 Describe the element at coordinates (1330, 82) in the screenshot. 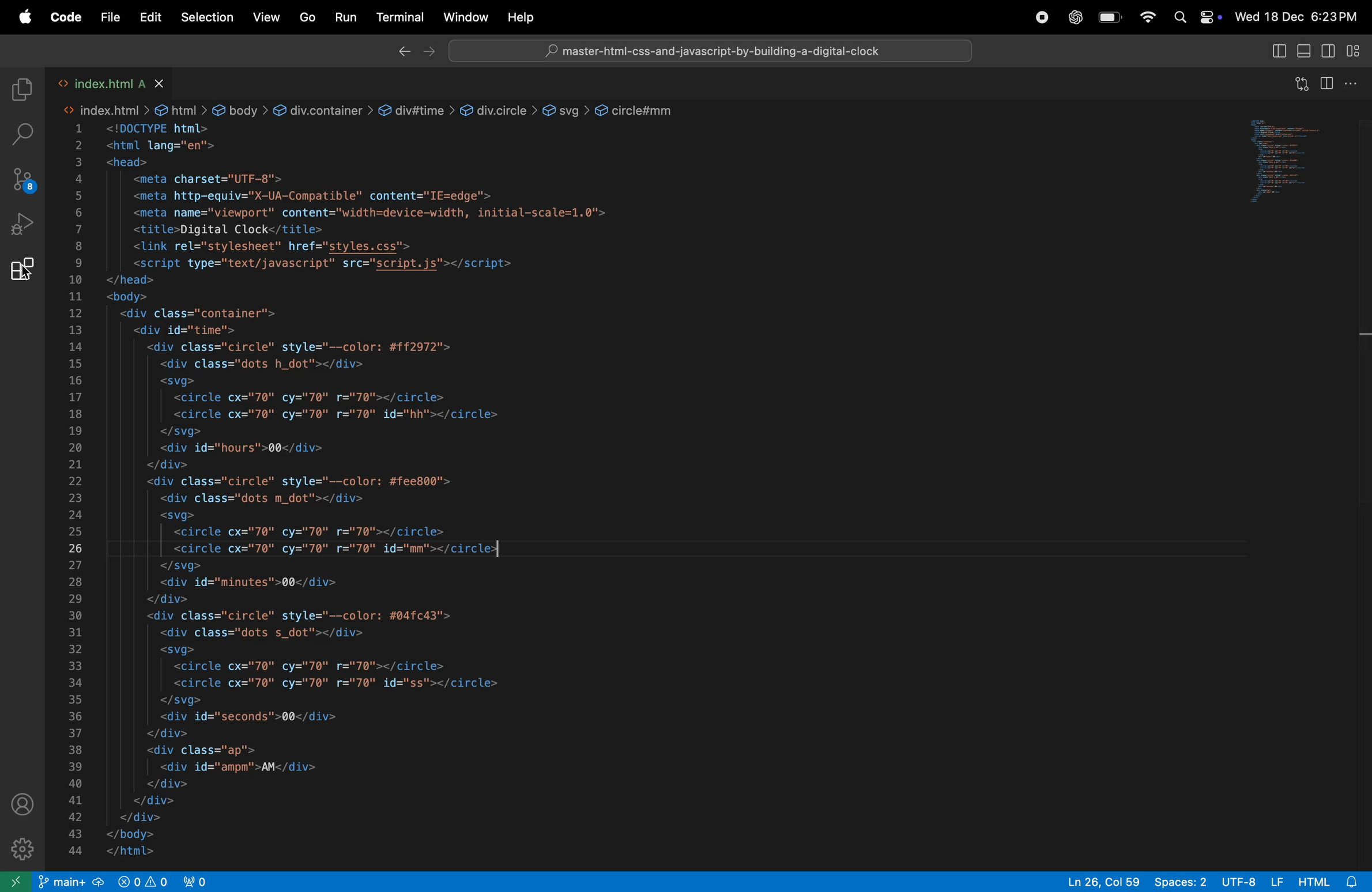

I see `split editor` at that location.